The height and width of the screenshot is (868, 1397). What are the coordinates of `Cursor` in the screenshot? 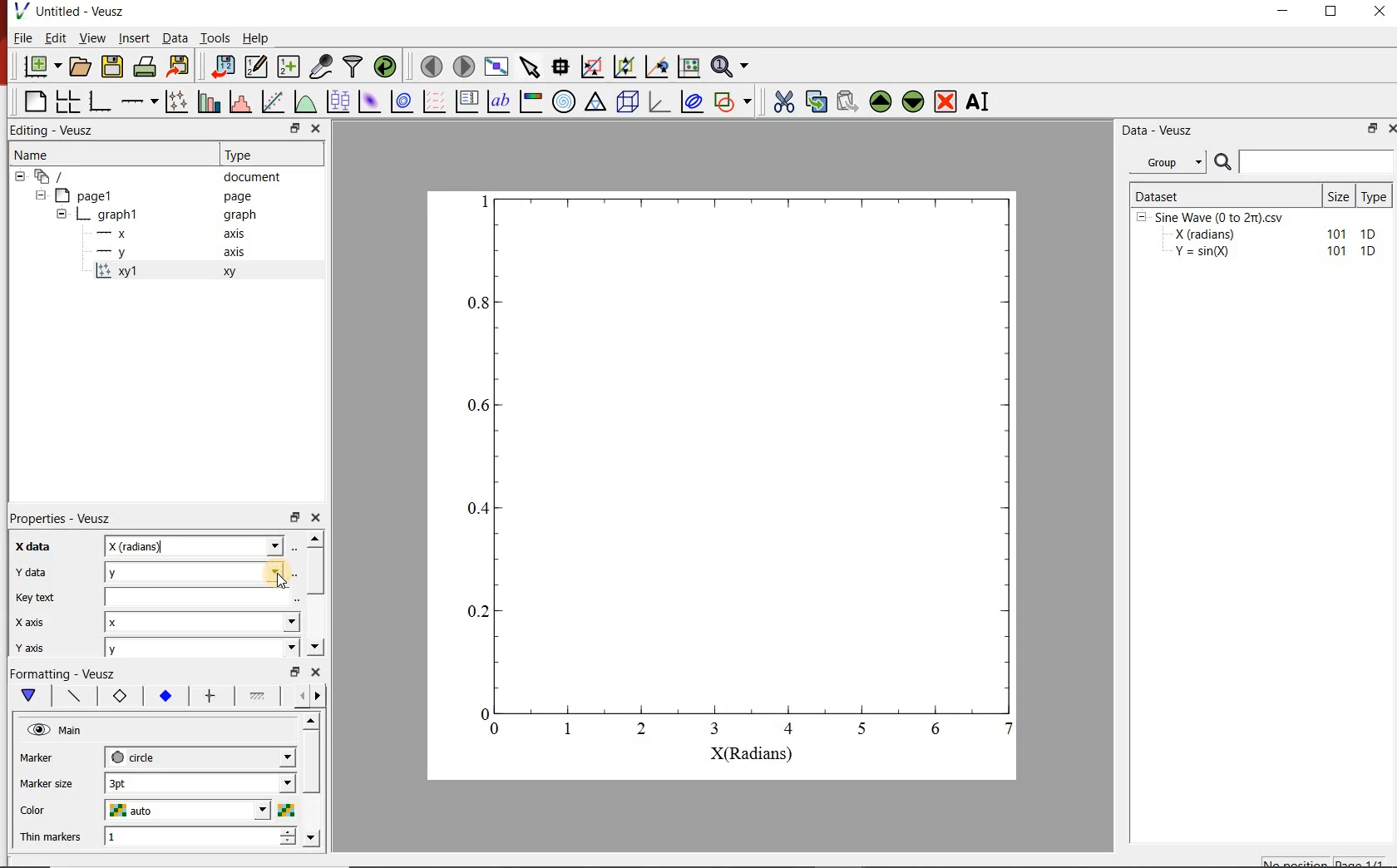 It's located at (280, 577).